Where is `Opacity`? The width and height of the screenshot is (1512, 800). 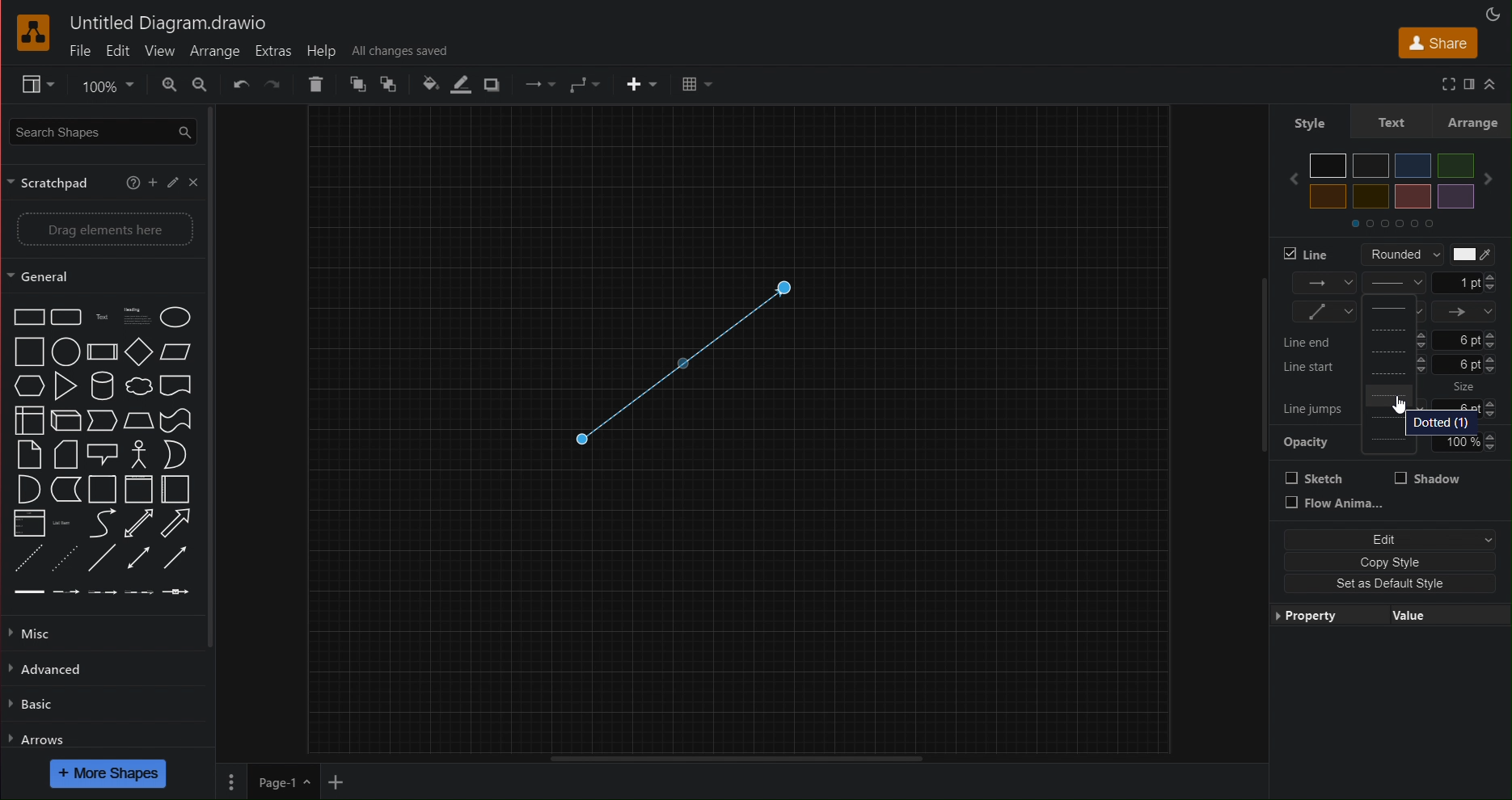
Opacity is located at coordinates (1390, 445).